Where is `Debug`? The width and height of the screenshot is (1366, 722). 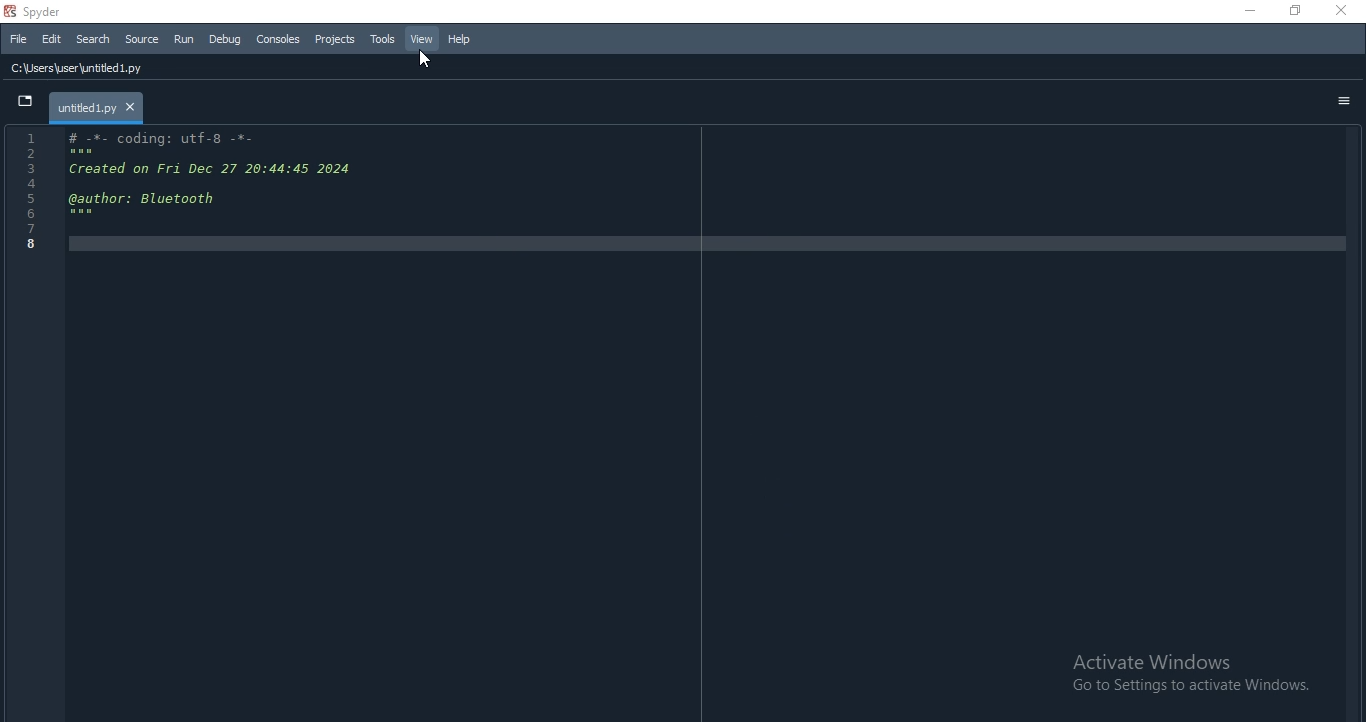
Debug is located at coordinates (226, 40).